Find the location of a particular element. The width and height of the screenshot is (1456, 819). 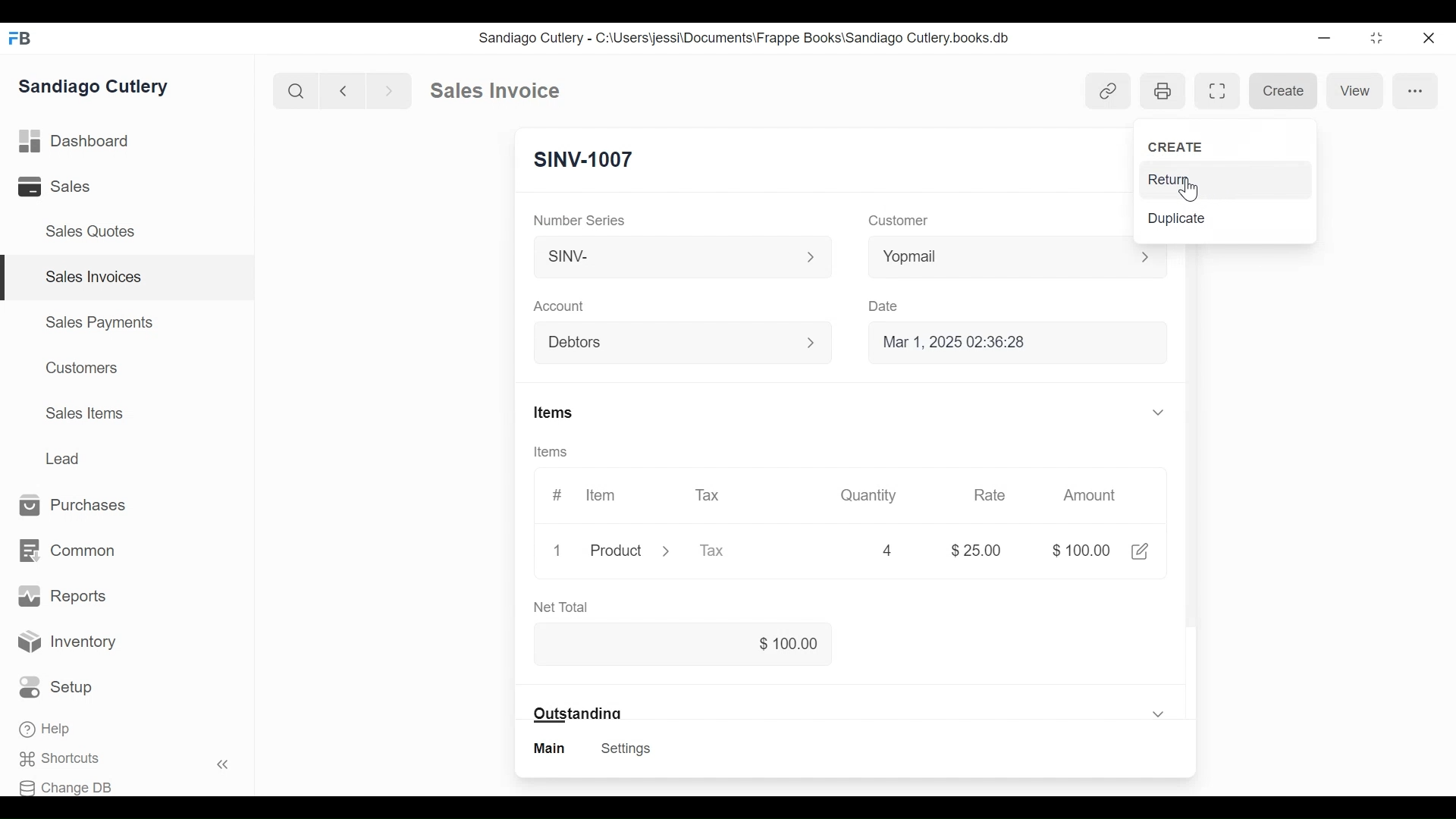

Return is located at coordinates (1169, 179).